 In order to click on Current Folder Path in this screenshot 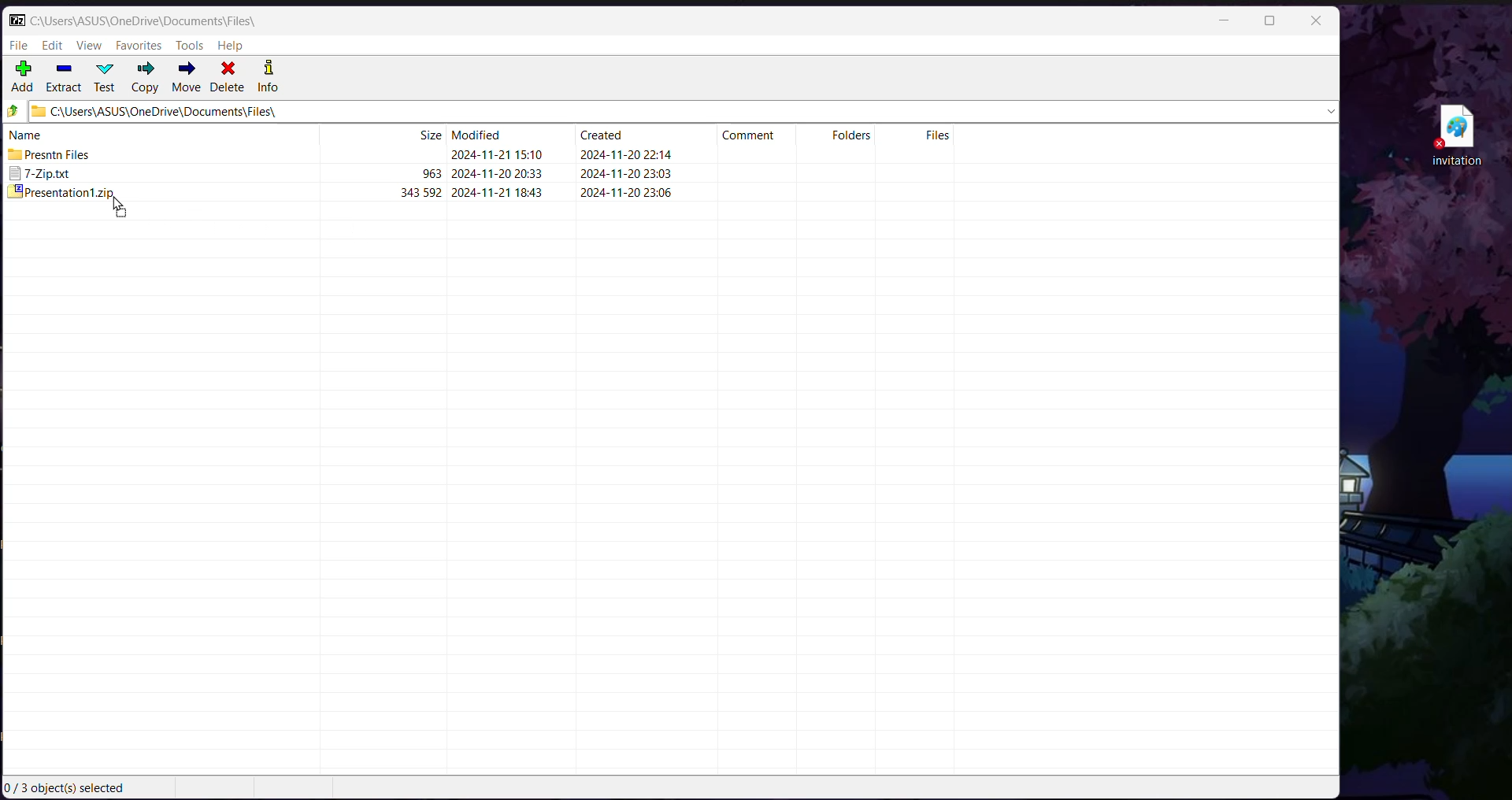, I will do `click(682, 113)`.